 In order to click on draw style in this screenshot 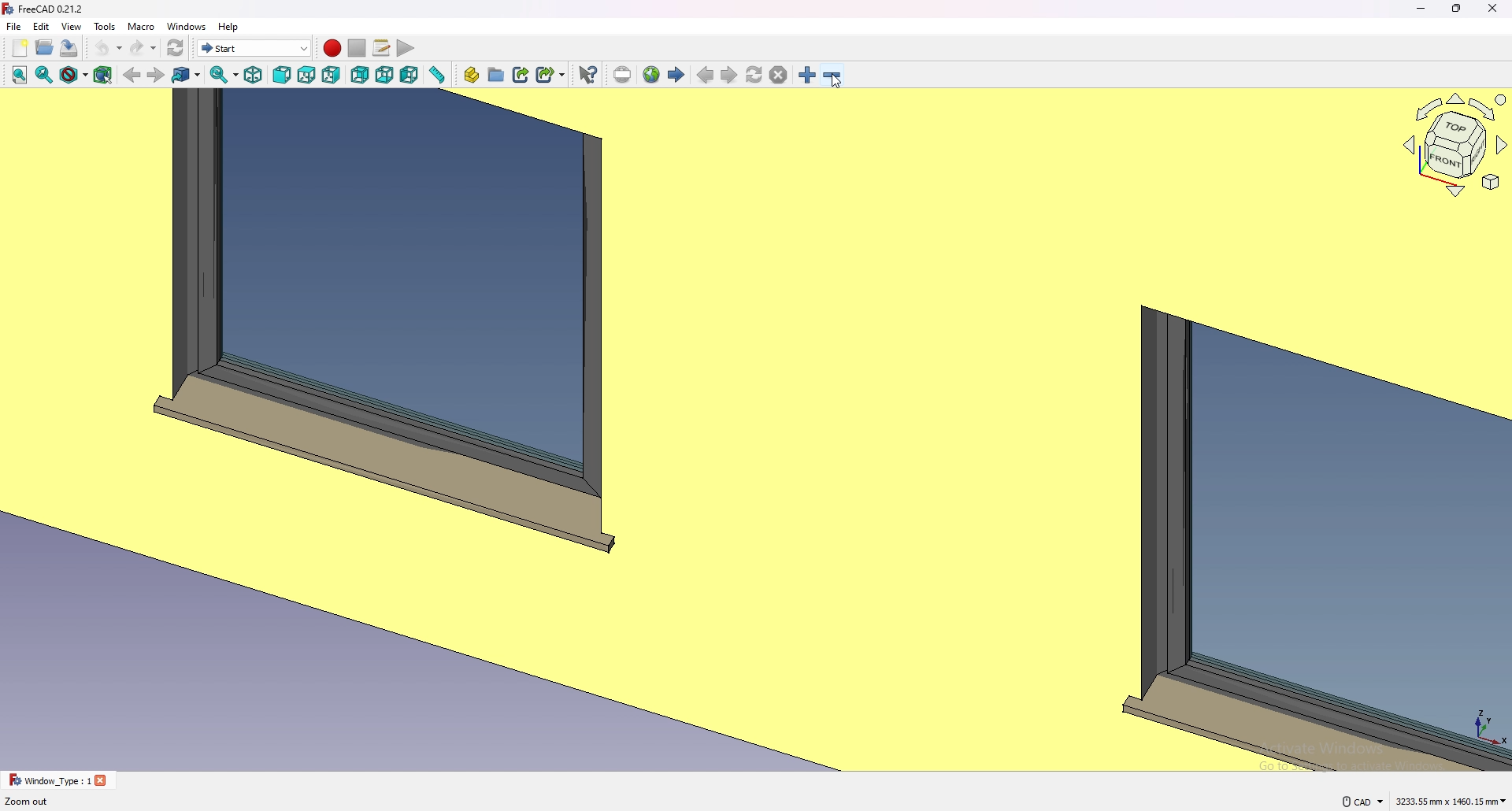, I will do `click(74, 75)`.